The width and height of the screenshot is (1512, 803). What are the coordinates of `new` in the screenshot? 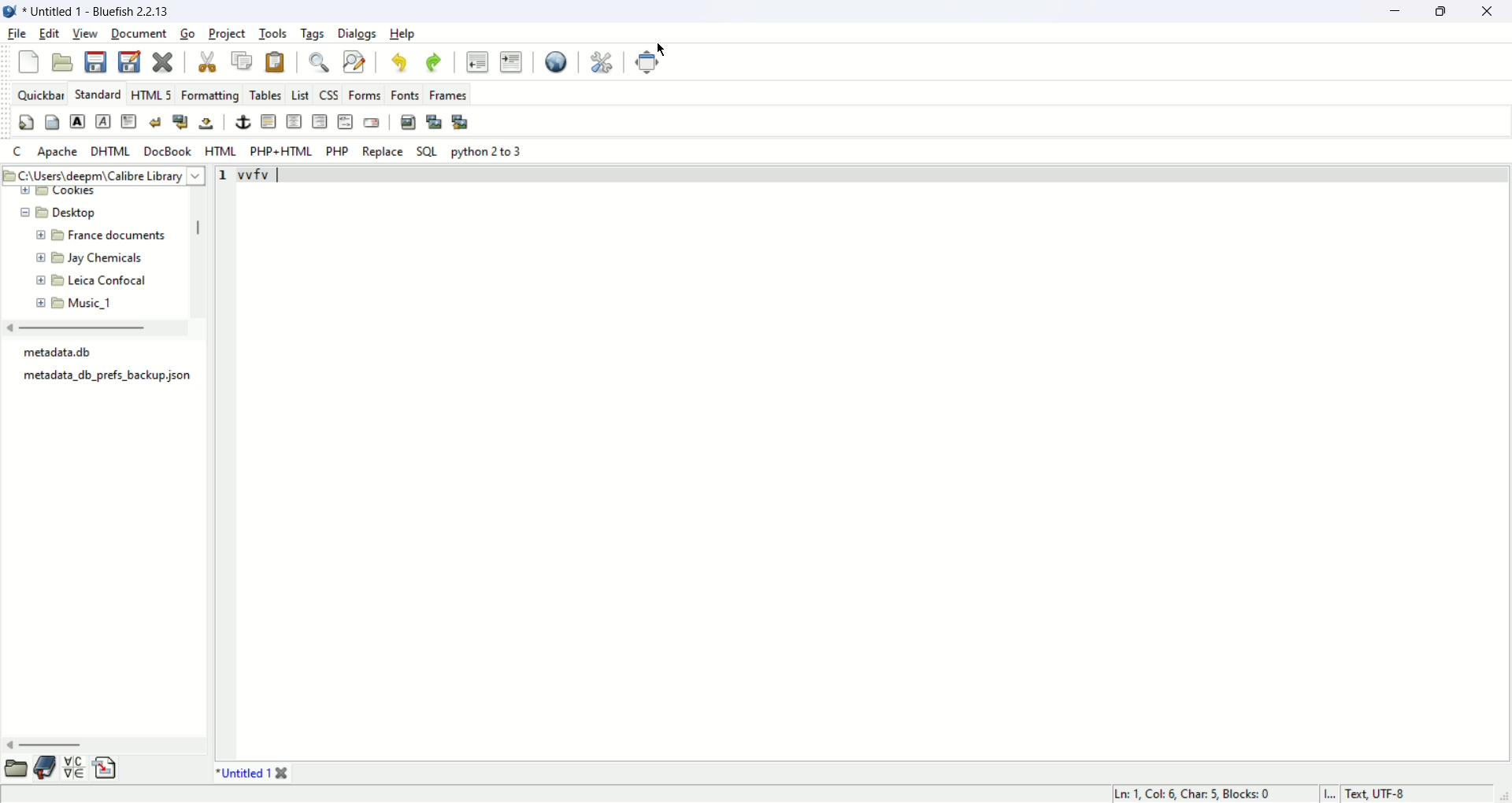 It's located at (29, 63).